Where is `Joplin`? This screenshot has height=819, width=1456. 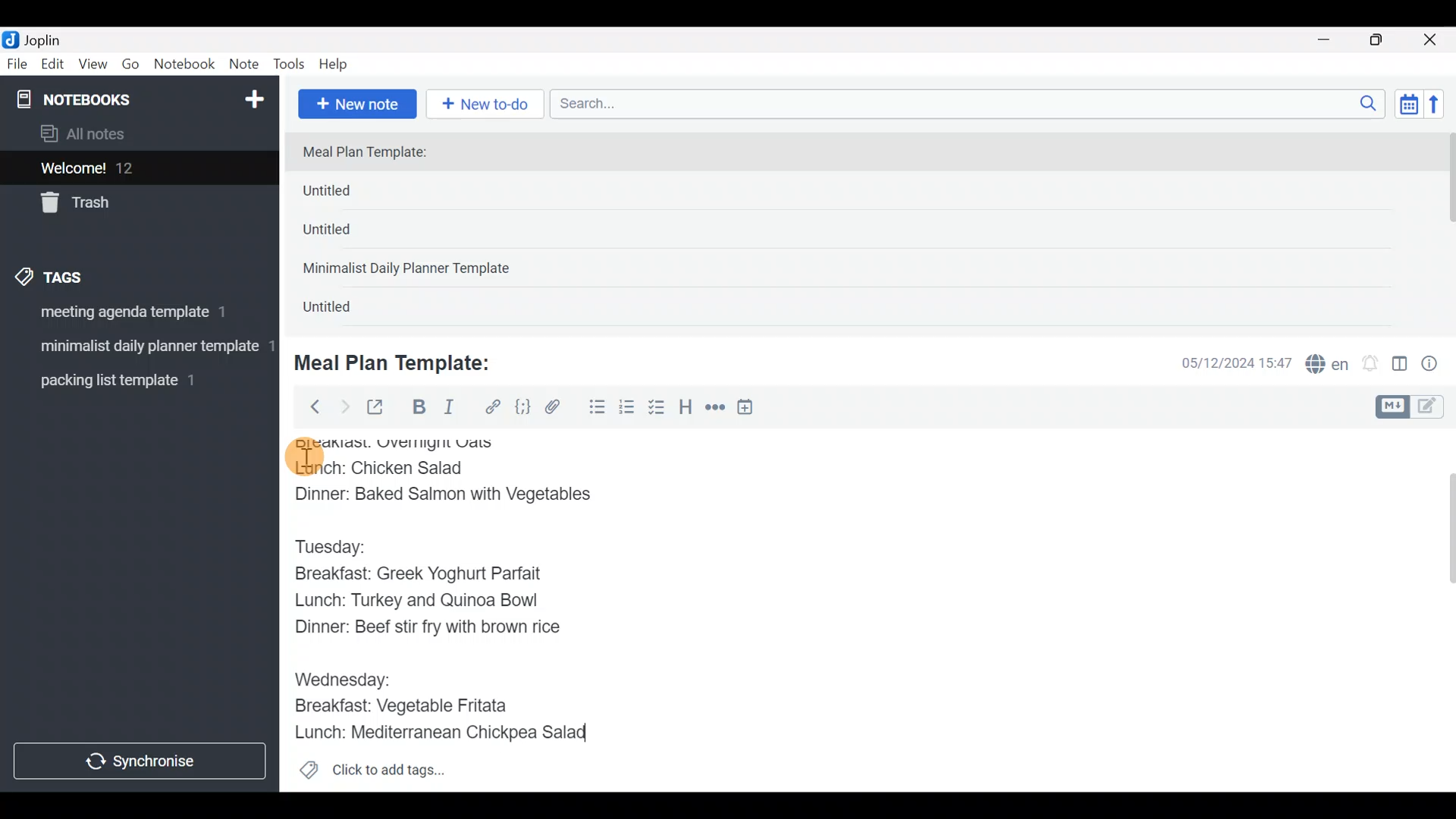 Joplin is located at coordinates (52, 38).